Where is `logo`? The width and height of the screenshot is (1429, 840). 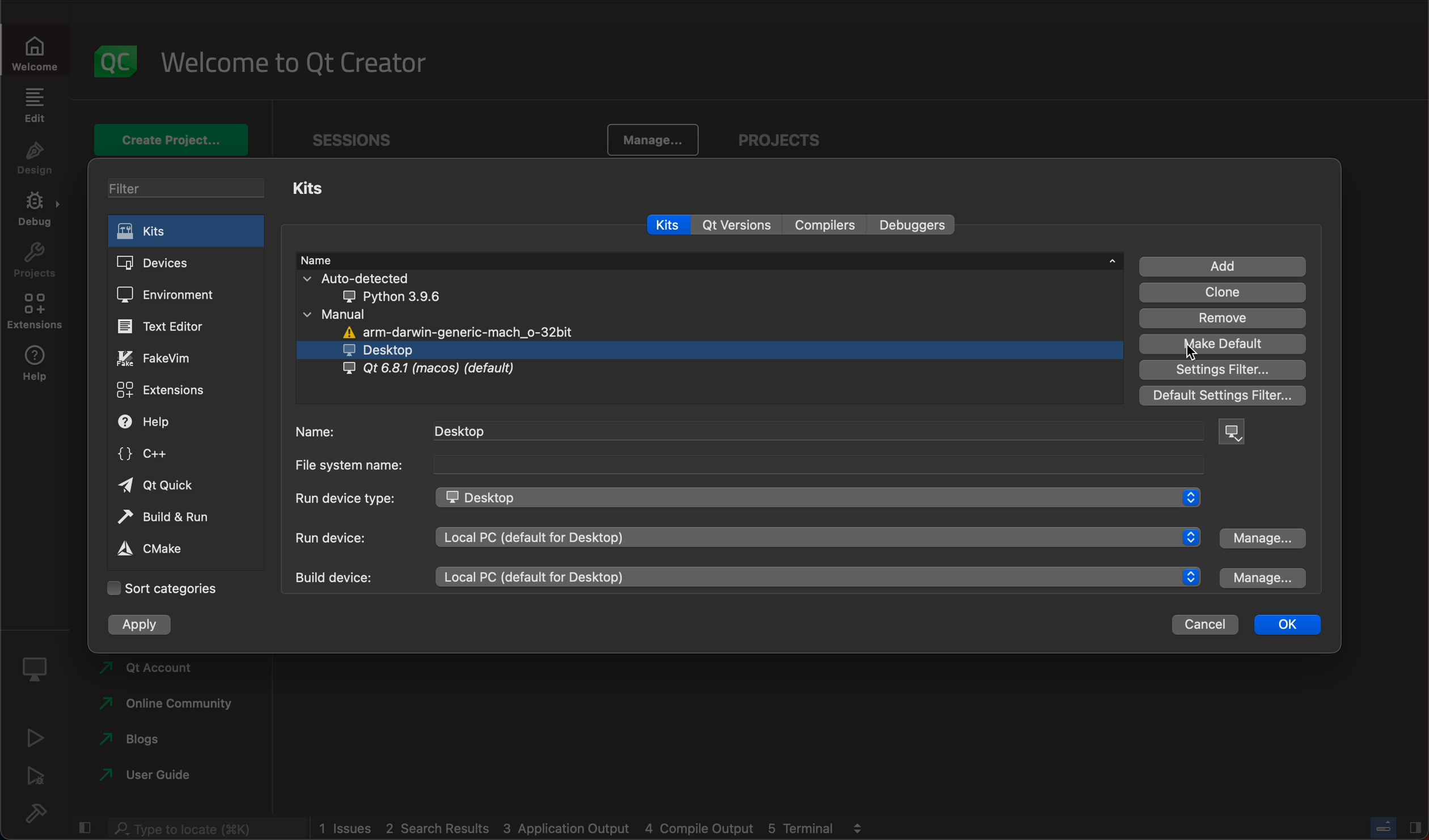 logo is located at coordinates (117, 58).